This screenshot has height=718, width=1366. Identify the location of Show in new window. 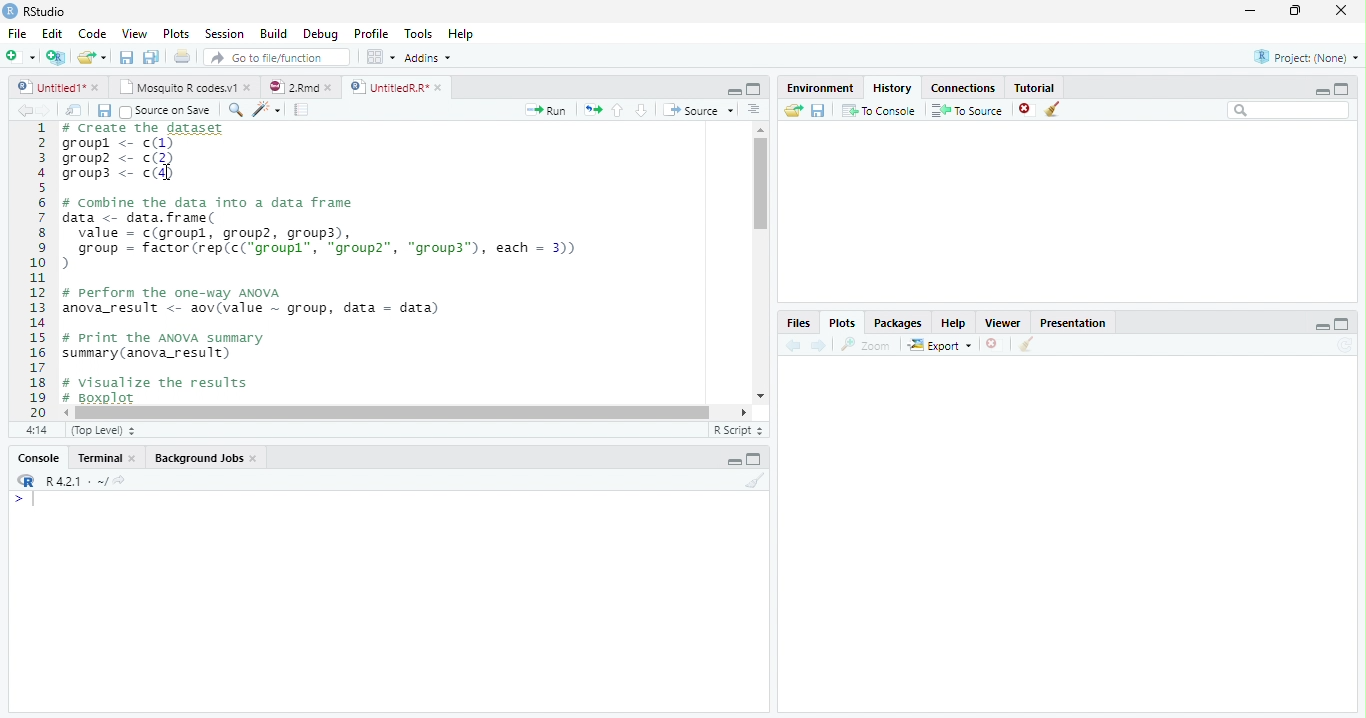
(77, 110).